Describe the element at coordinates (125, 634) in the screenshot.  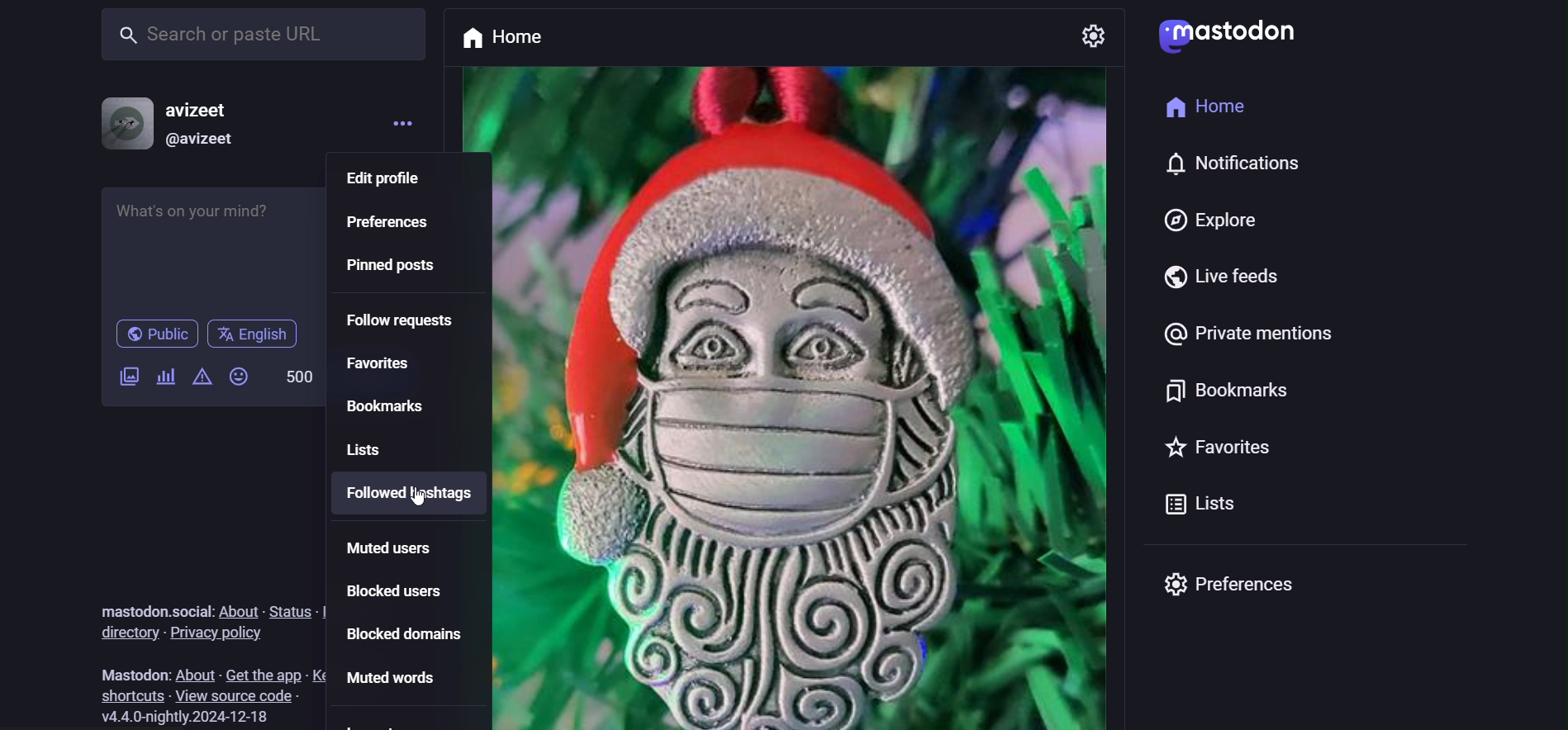
I see `directory` at that location.